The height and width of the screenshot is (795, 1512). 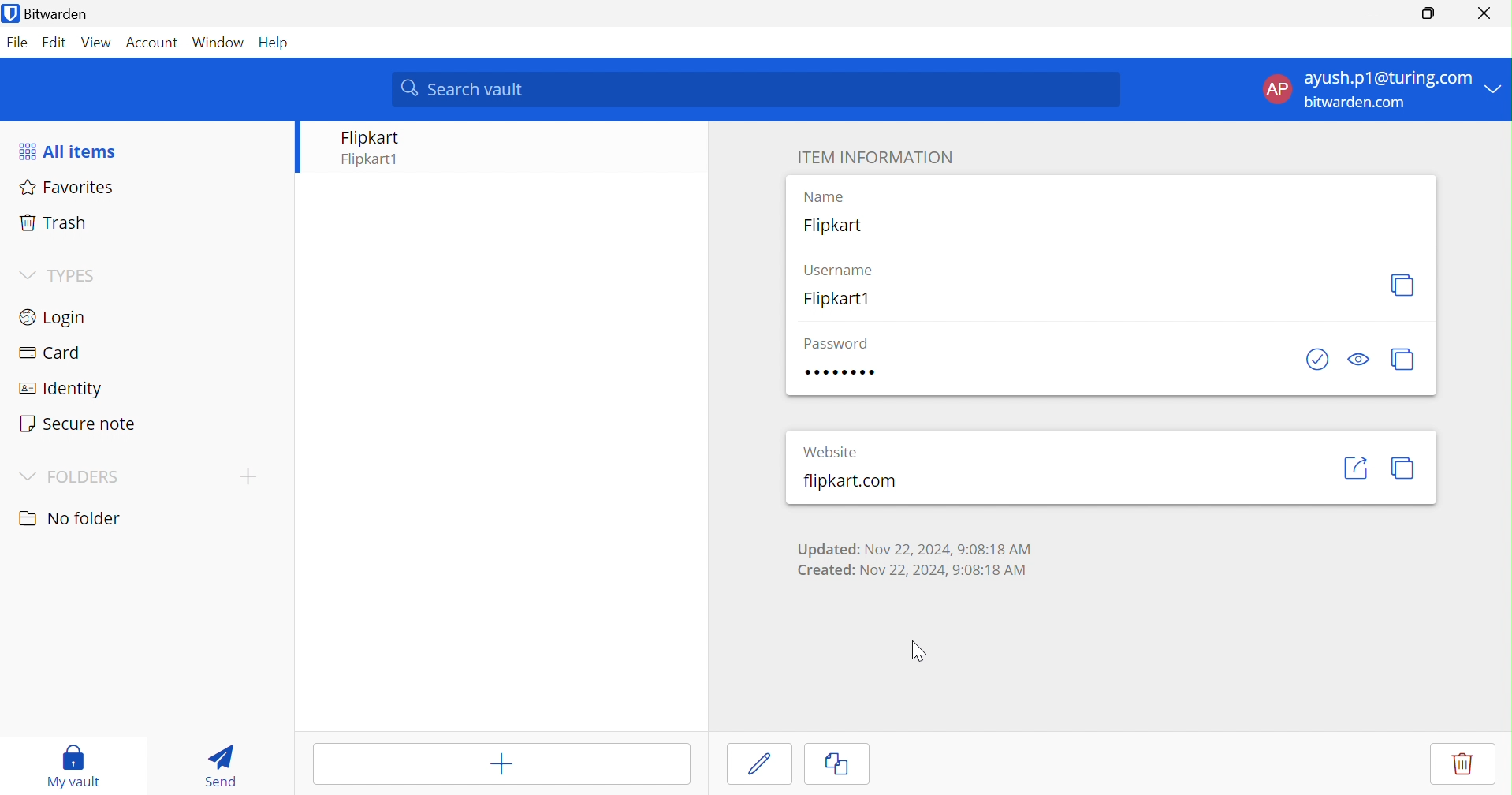 What do you see at coordinates (1359, 357) in the screenshot?
I see `Toggle Visibility` at bounding box center [1359, 357].